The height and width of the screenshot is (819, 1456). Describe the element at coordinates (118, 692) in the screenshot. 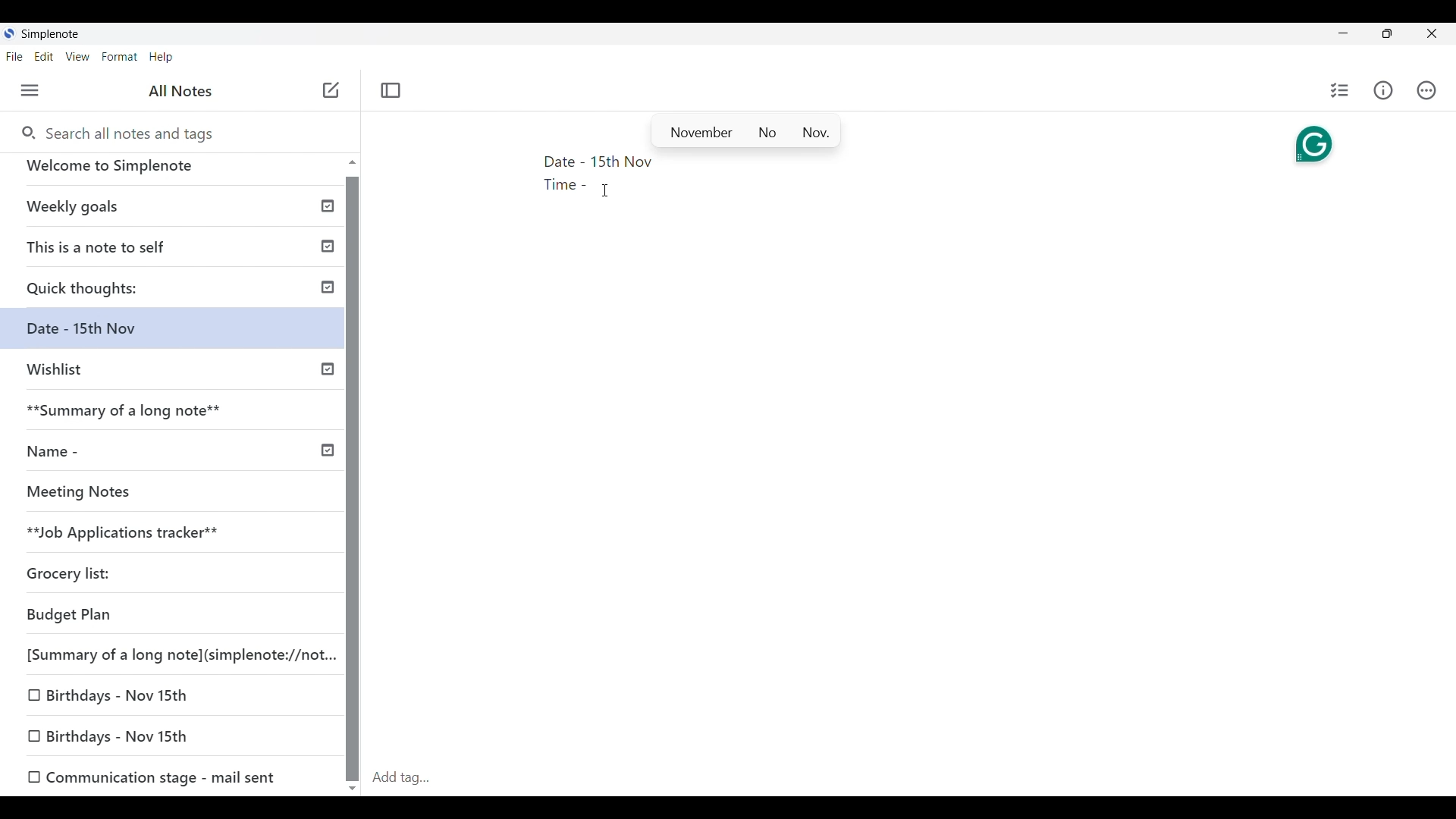

I see `Unpublished note` at that location.